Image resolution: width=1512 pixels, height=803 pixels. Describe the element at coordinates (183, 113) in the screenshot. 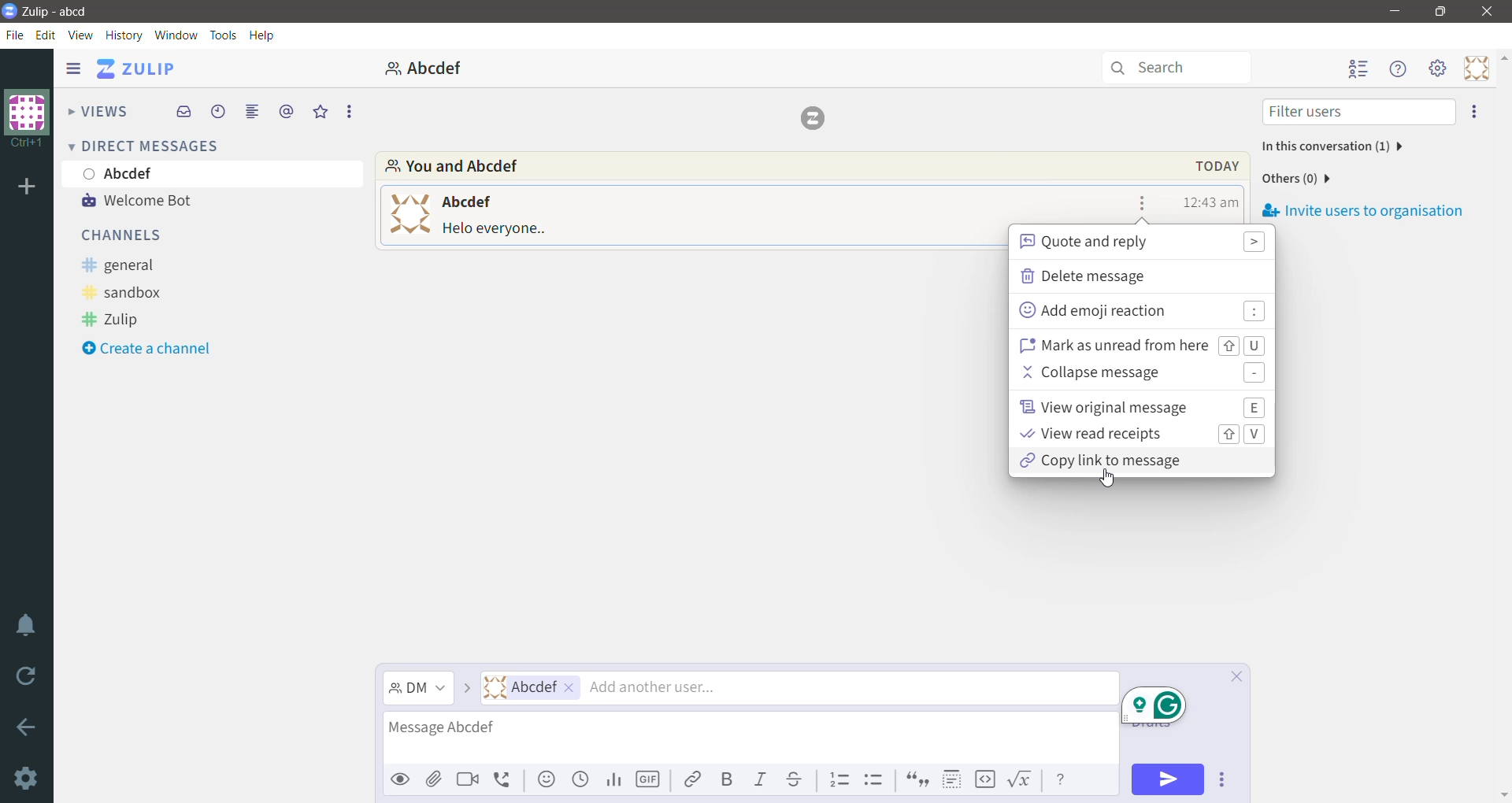

I see `Inbox` at that location.